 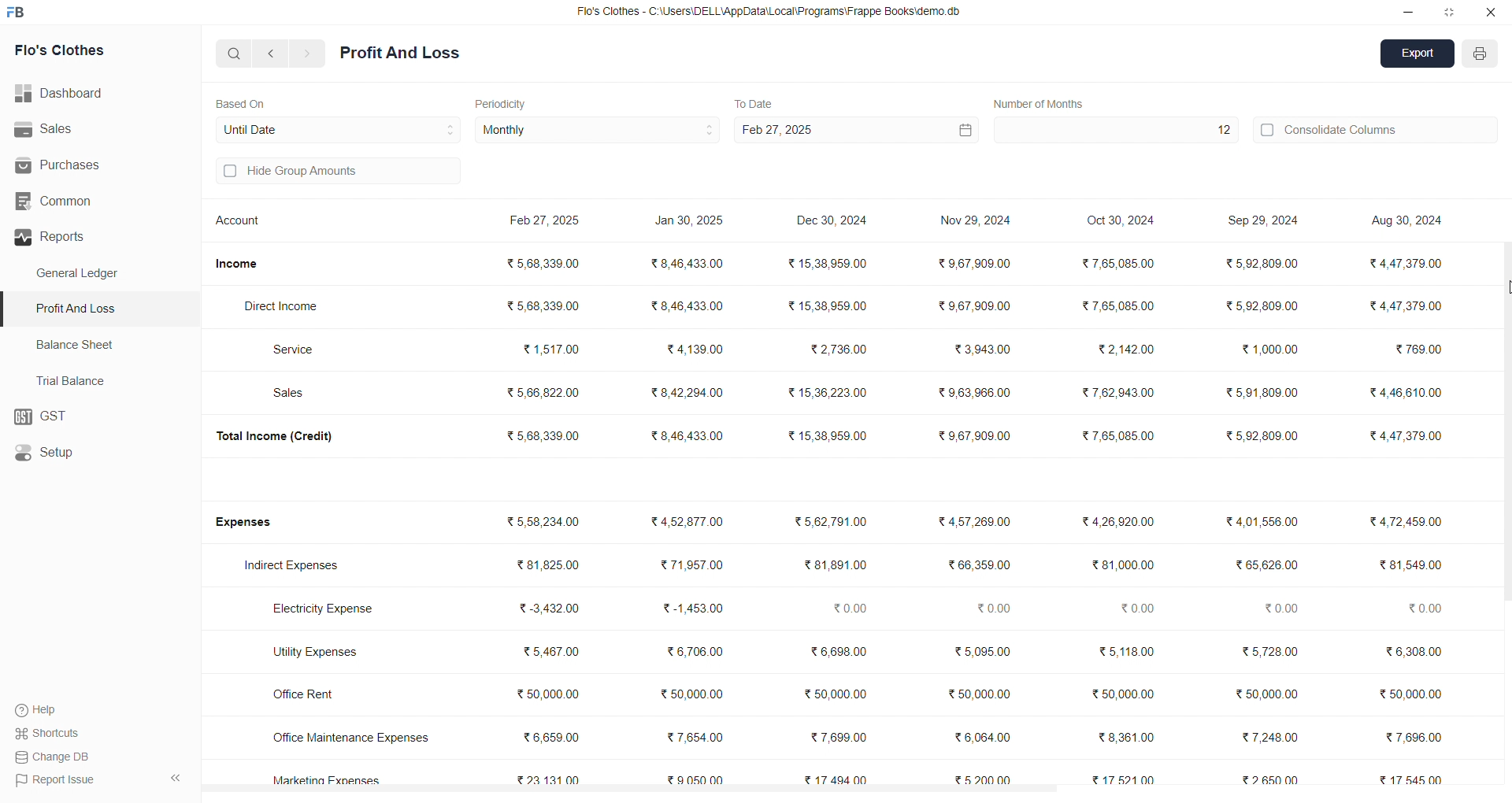 What do you see at coordinates (328, 610) in the screenshot?
I see `Electricity Expense` at bounding box center [328, 610].